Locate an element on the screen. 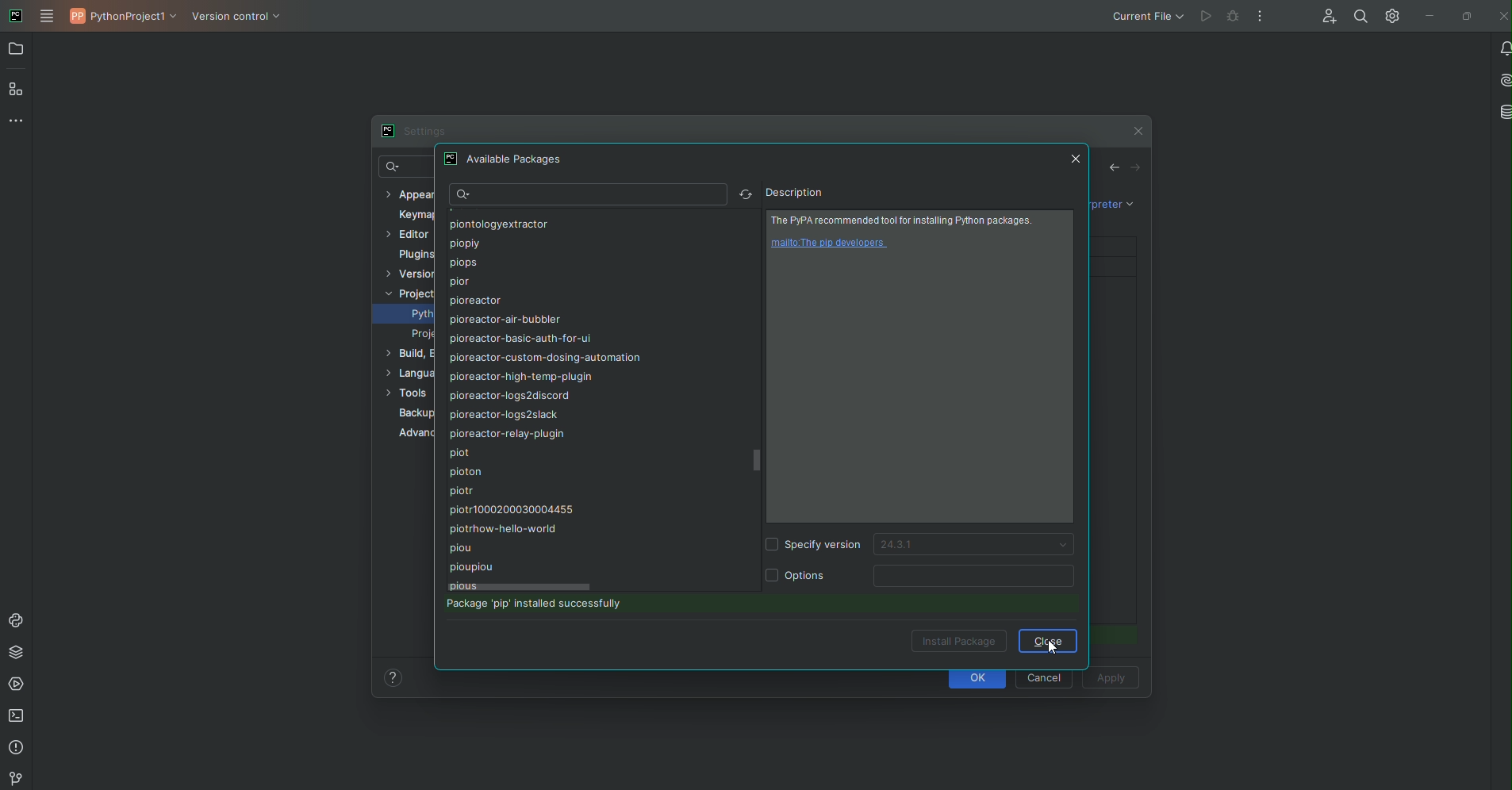 The width and height of the screenshot is (1512, 790). piops is located at coordinates (461, 262).